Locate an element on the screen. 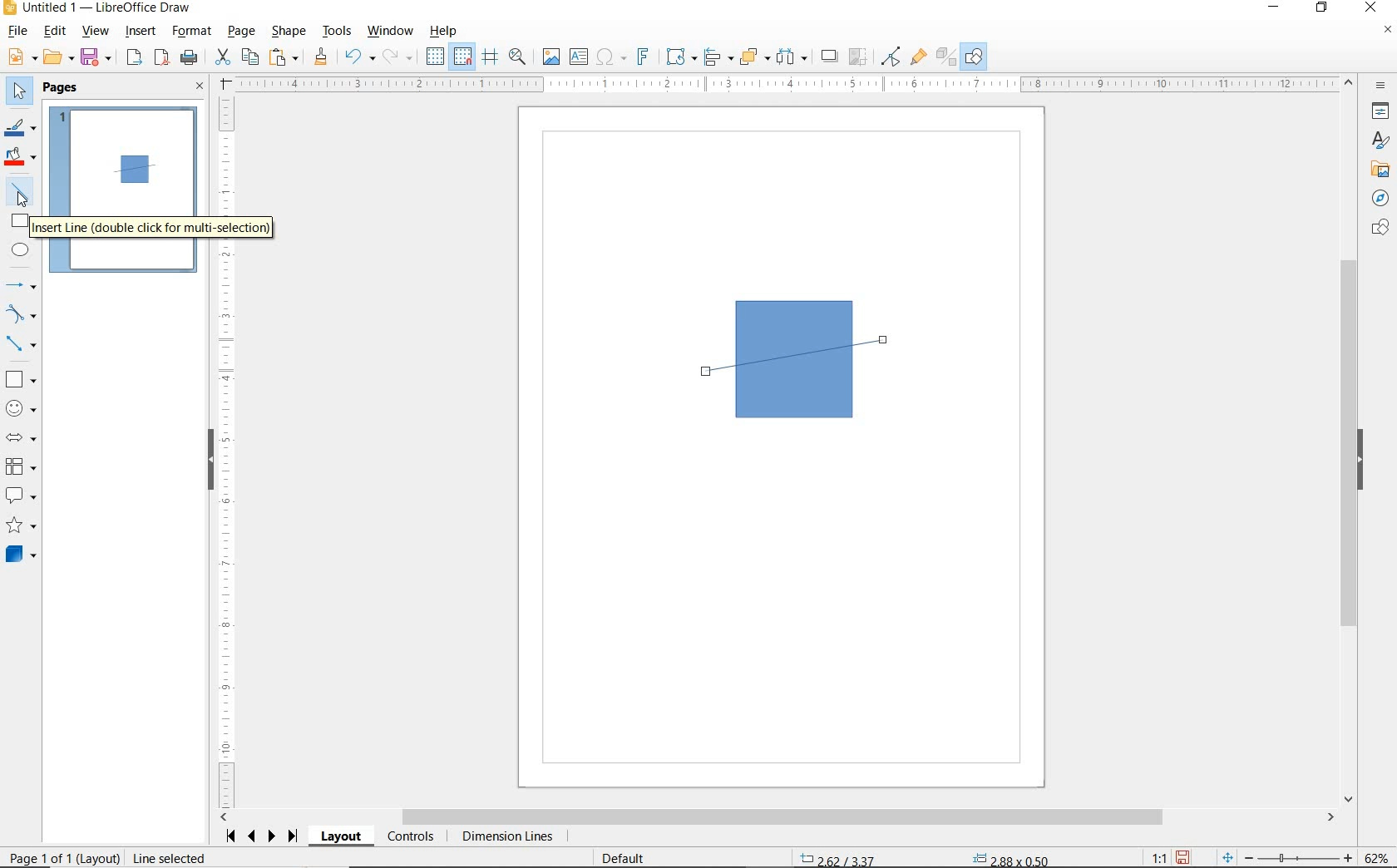 The height and width of the screenshot is (868, 1397). EXPORT is located at coordinates (135, 59).